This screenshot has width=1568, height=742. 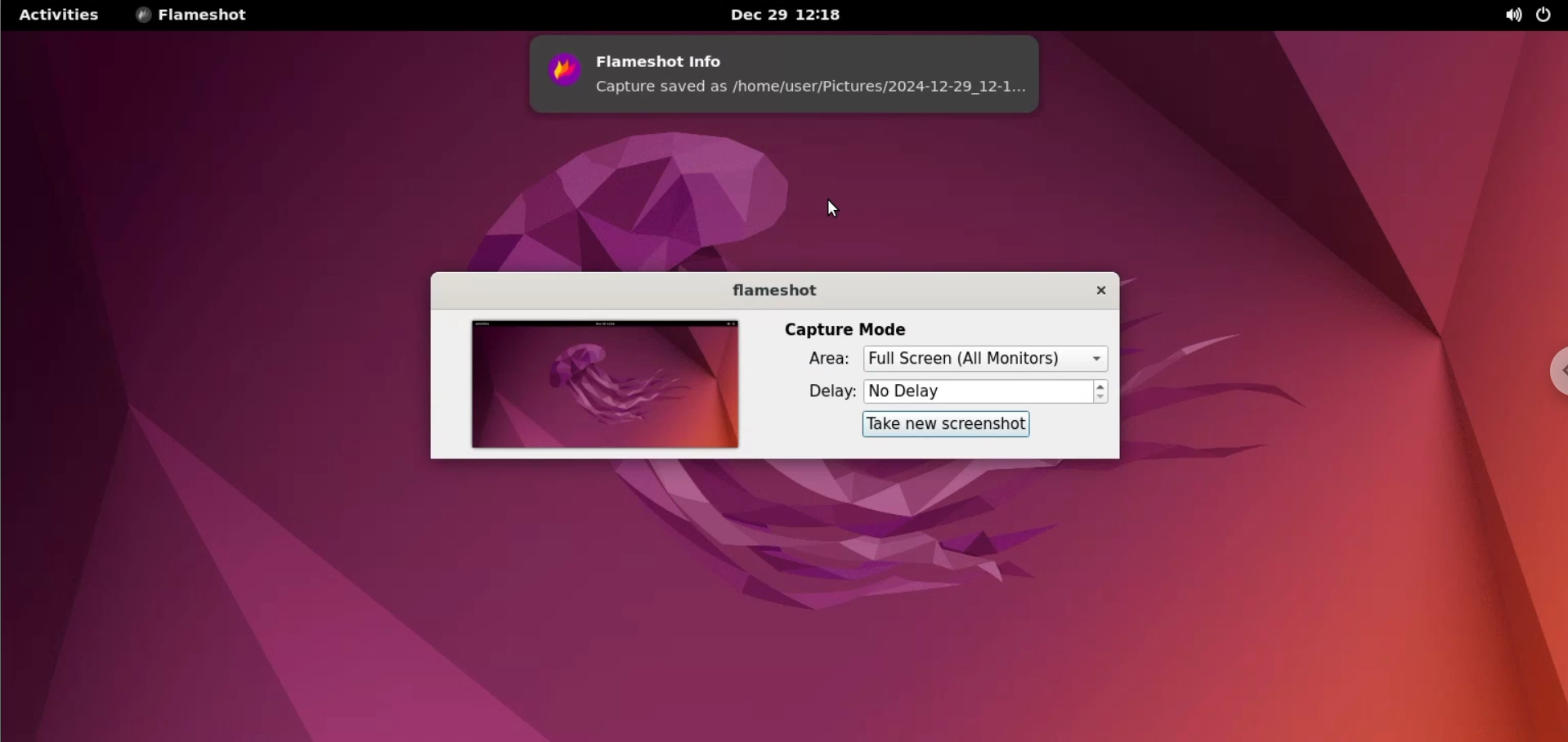 What do you see at coordinates (822, 360) in the screenshot?
I see `Area label` at bounding box center [822, 360].